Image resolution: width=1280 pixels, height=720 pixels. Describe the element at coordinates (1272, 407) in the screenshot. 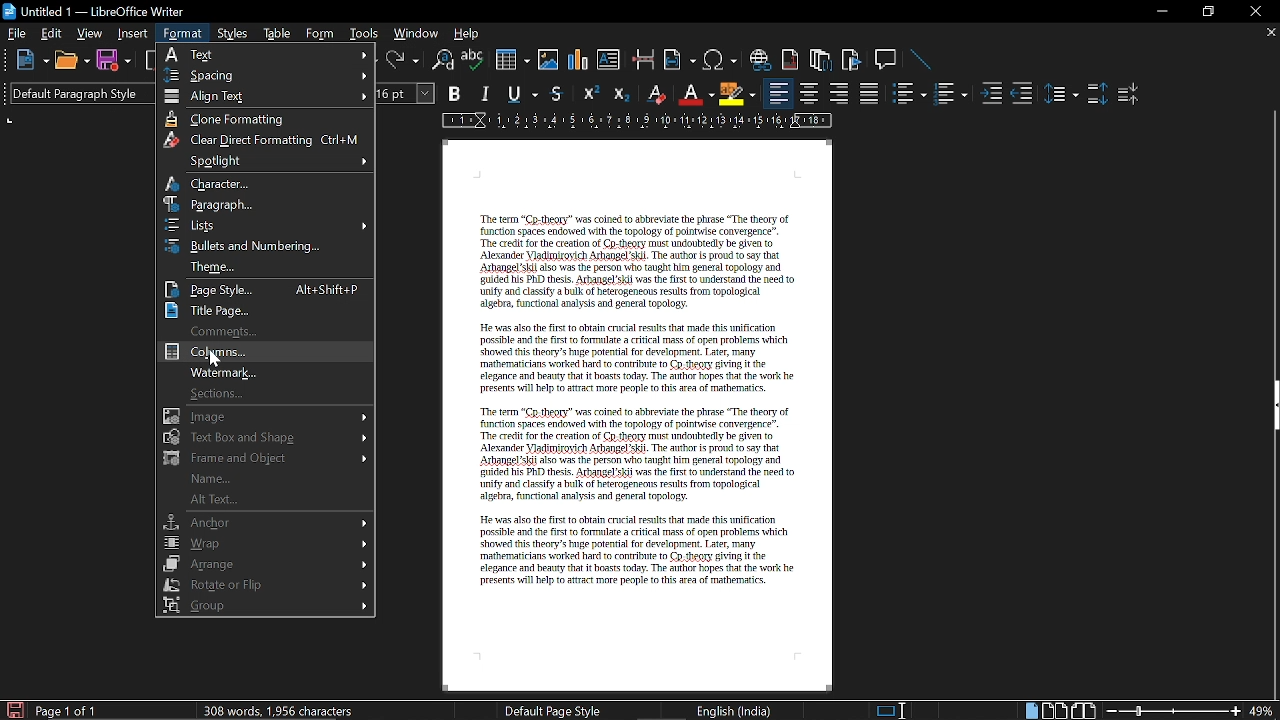

I see `Sidebar` at that location.